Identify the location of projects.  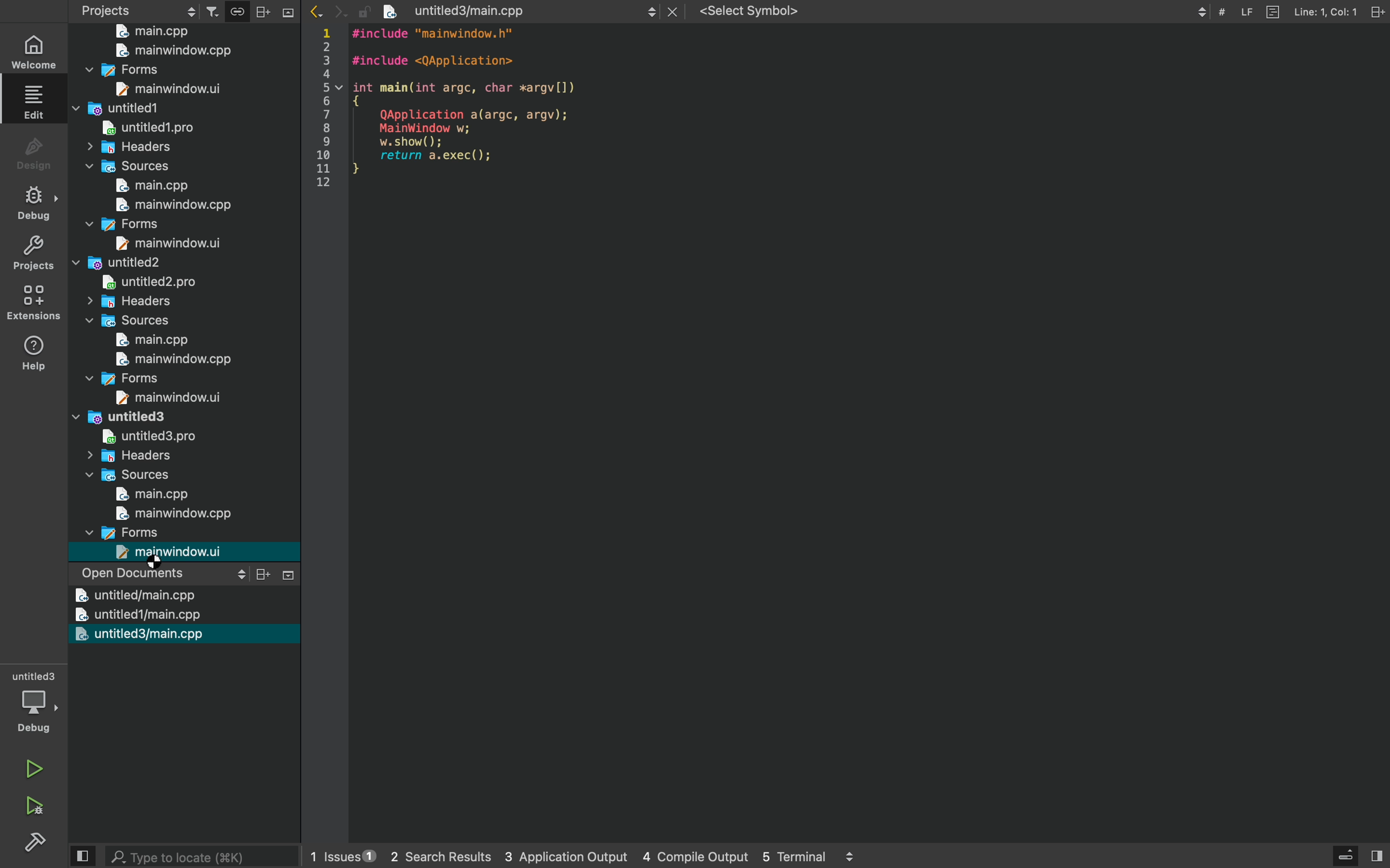
(276, 10).